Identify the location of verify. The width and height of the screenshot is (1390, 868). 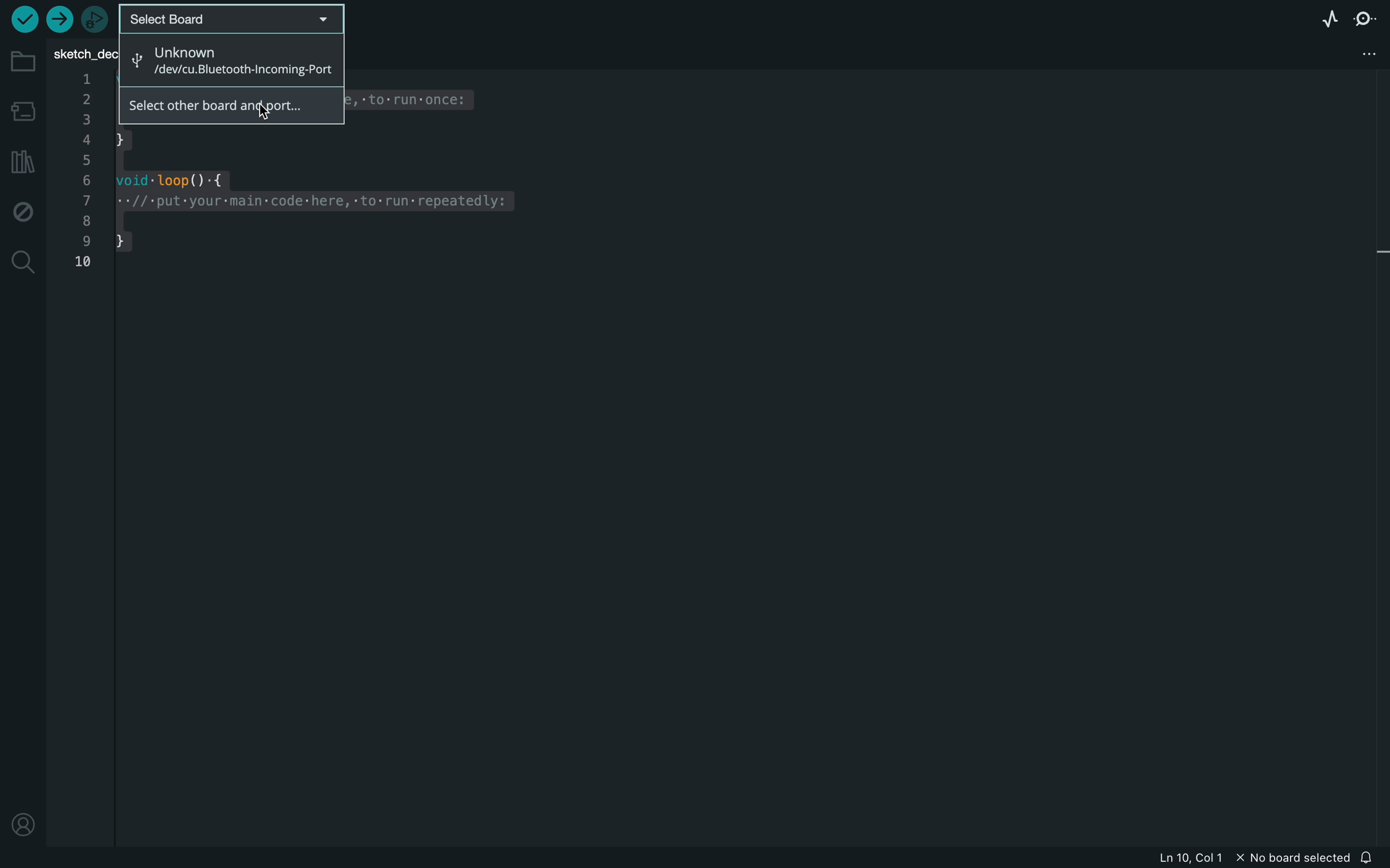
(25, 19).